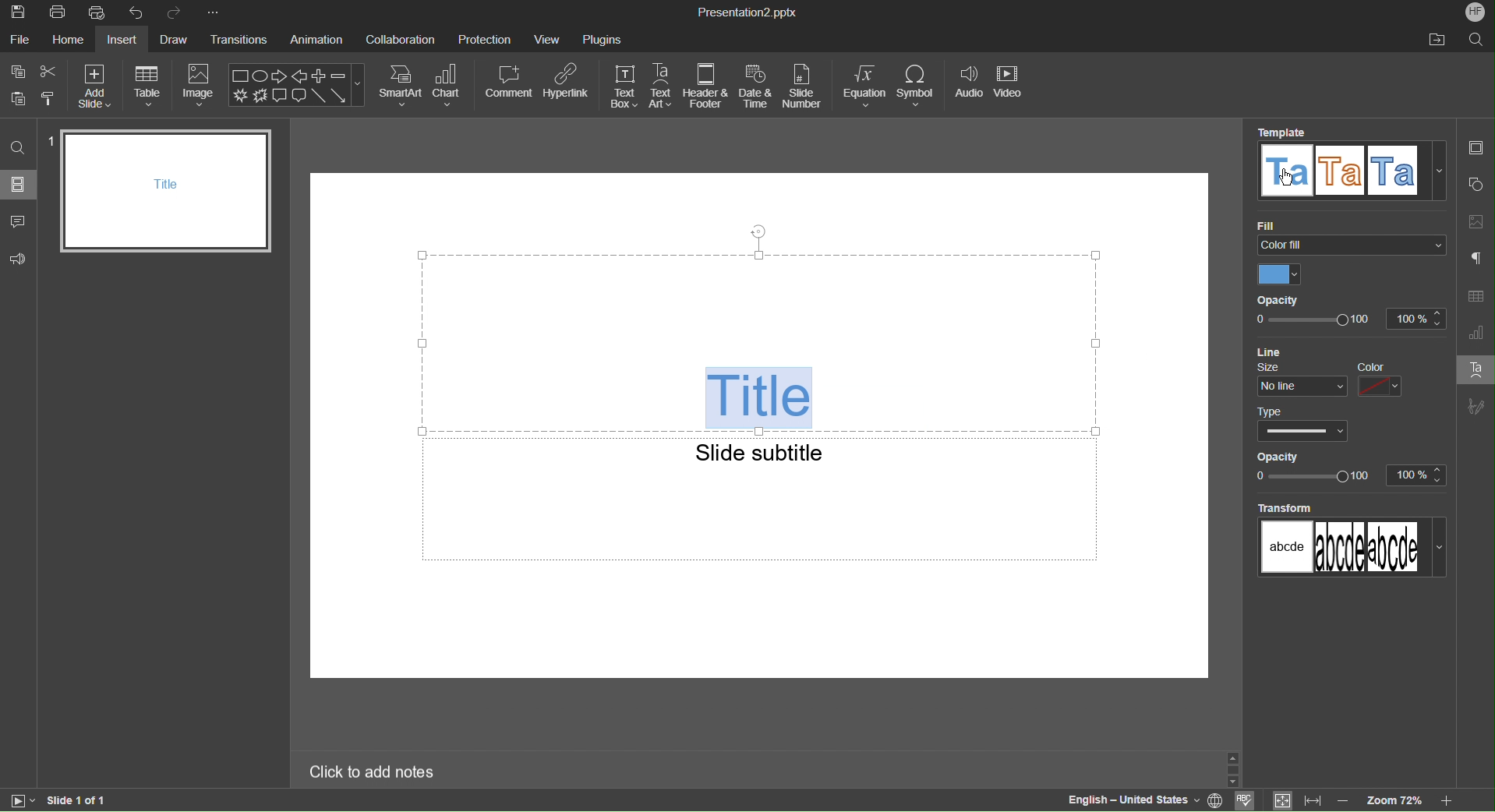  What do you see at coordinates (1348, 238) in the screenshot?
I see `` at bounding box center [1348, 238].